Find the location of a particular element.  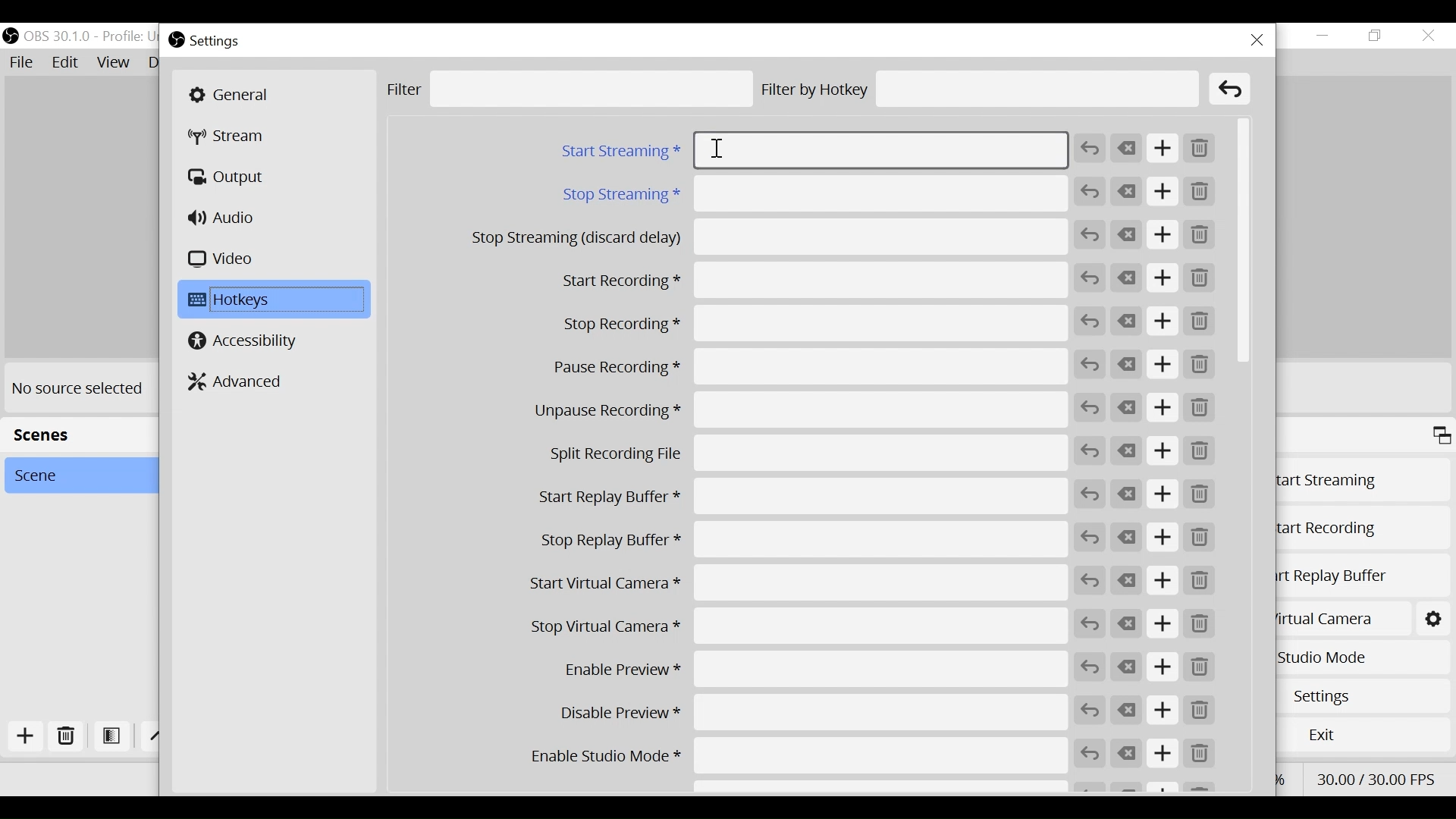

Remove is located at coordinates (1199, 192).